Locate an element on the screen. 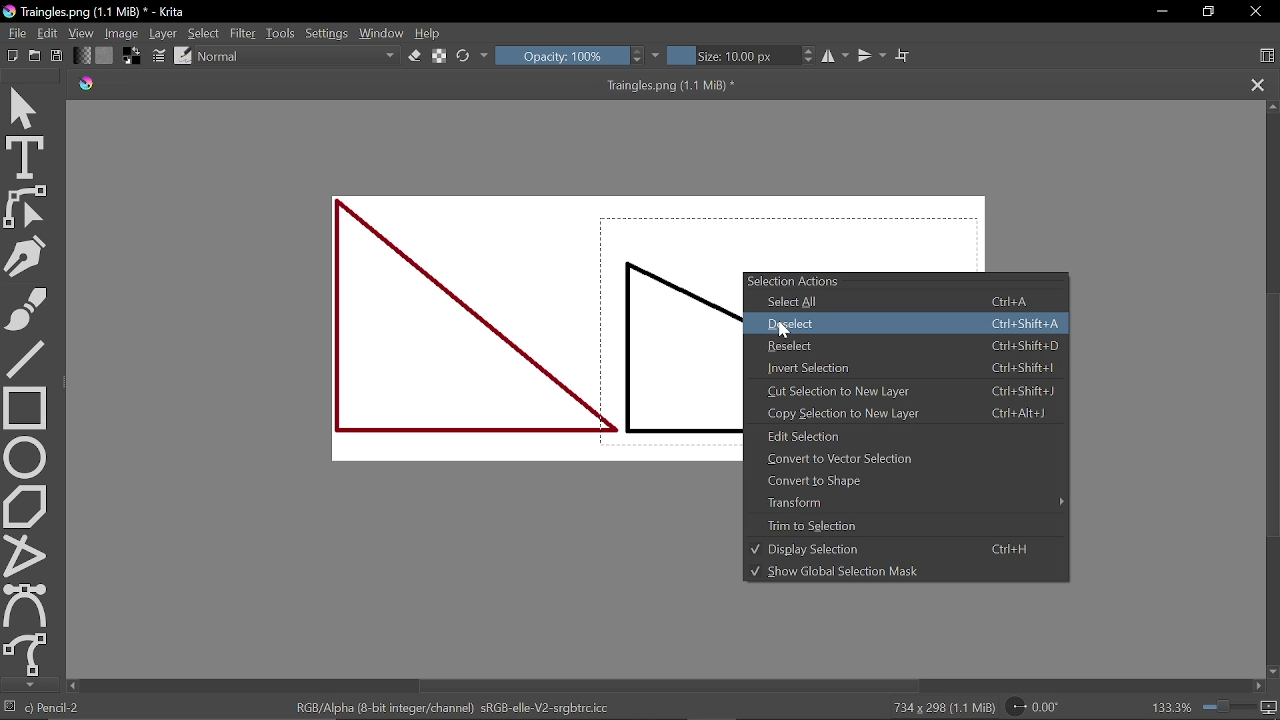 This screenshot has width=1280, height=720. Choose workspace is located at coordinates (1268, 55).